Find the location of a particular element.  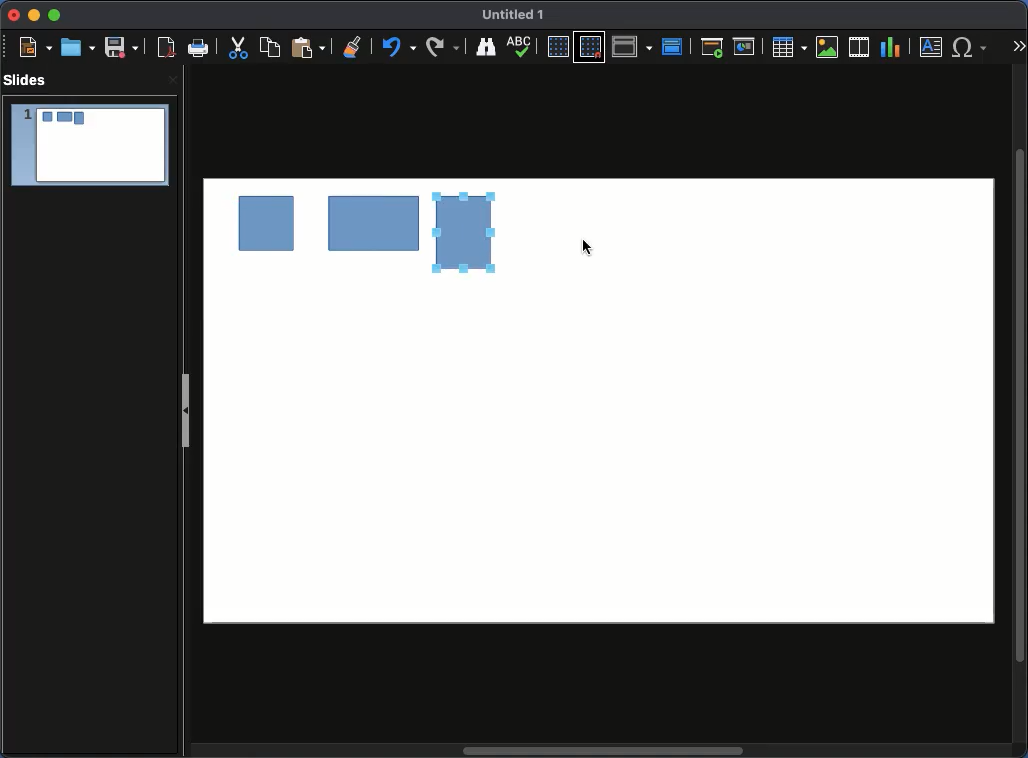

Display is located at coordinates (524, 48).